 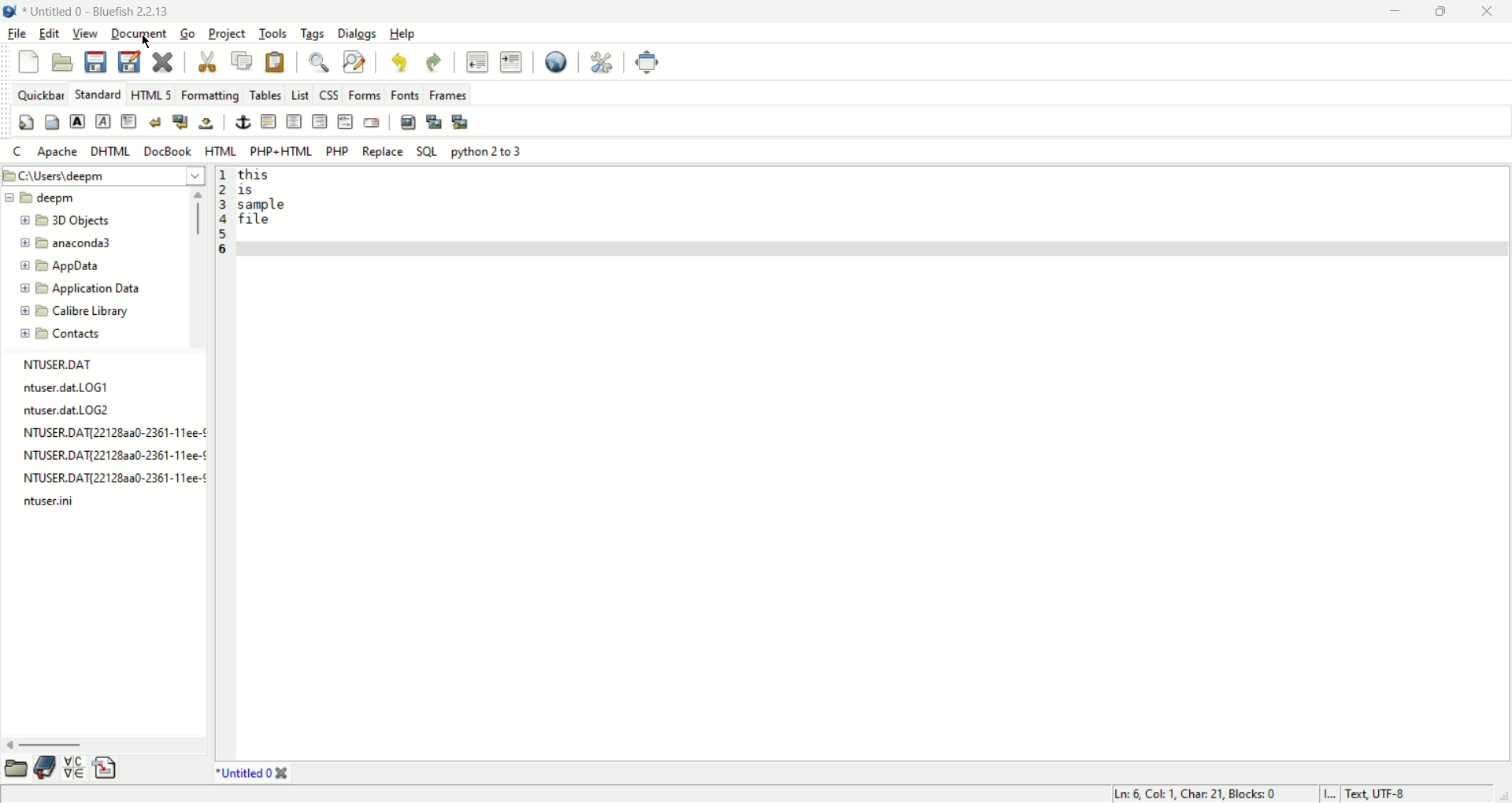 I want to click on vertical scroll bar, so click(x=197, y=265).